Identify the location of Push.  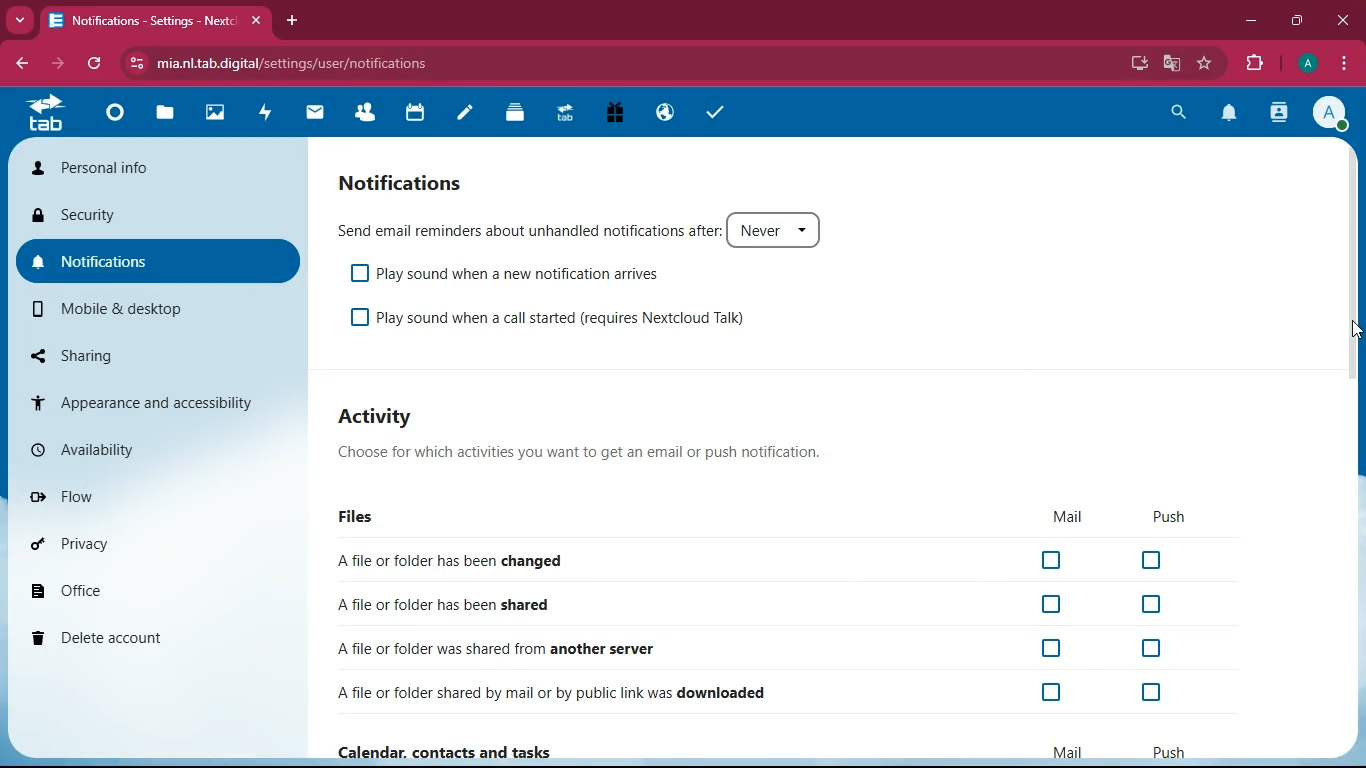
(1172, 753).